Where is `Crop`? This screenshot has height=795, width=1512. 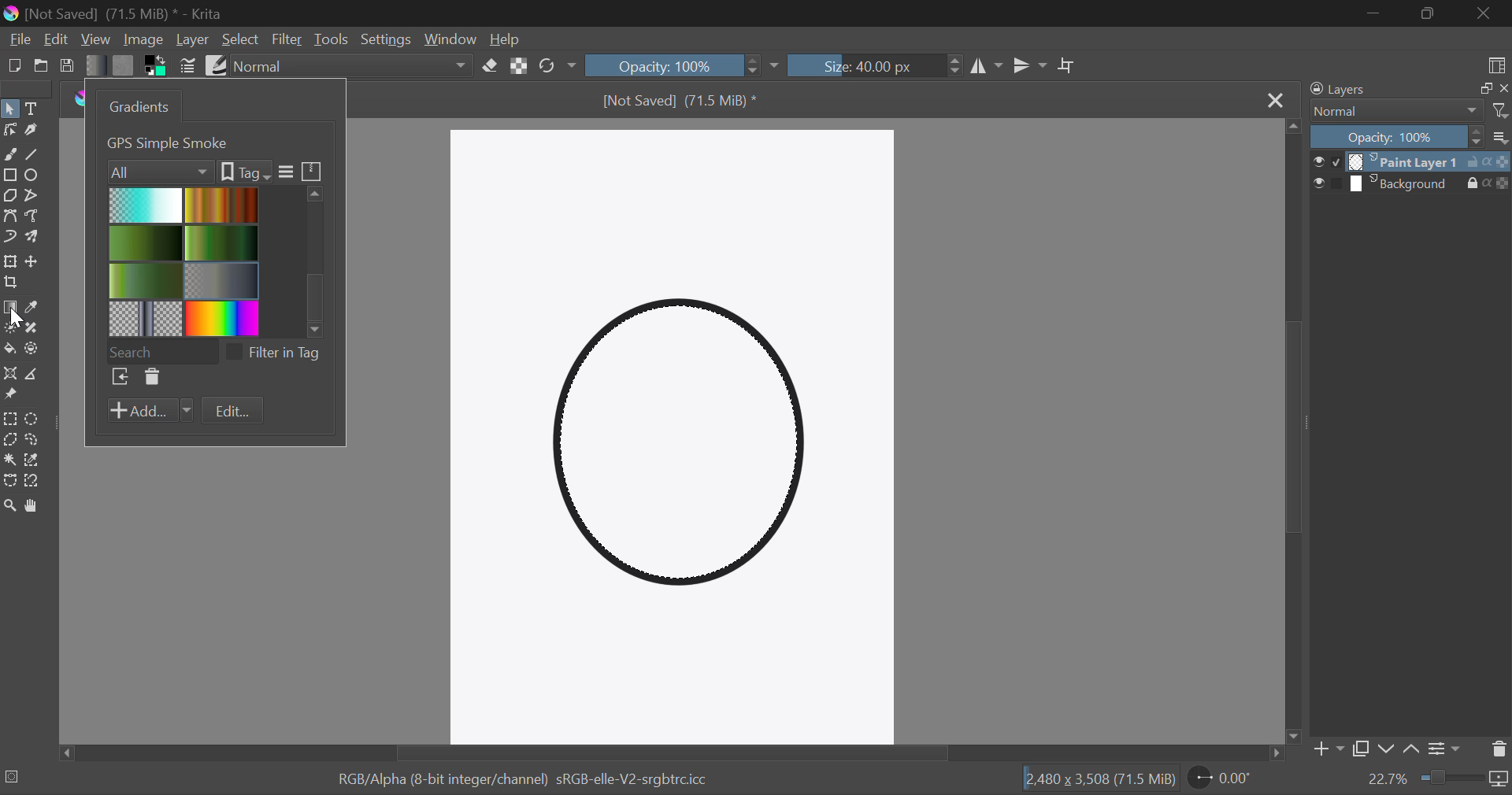
Crop is located at coordinates (11, 284).